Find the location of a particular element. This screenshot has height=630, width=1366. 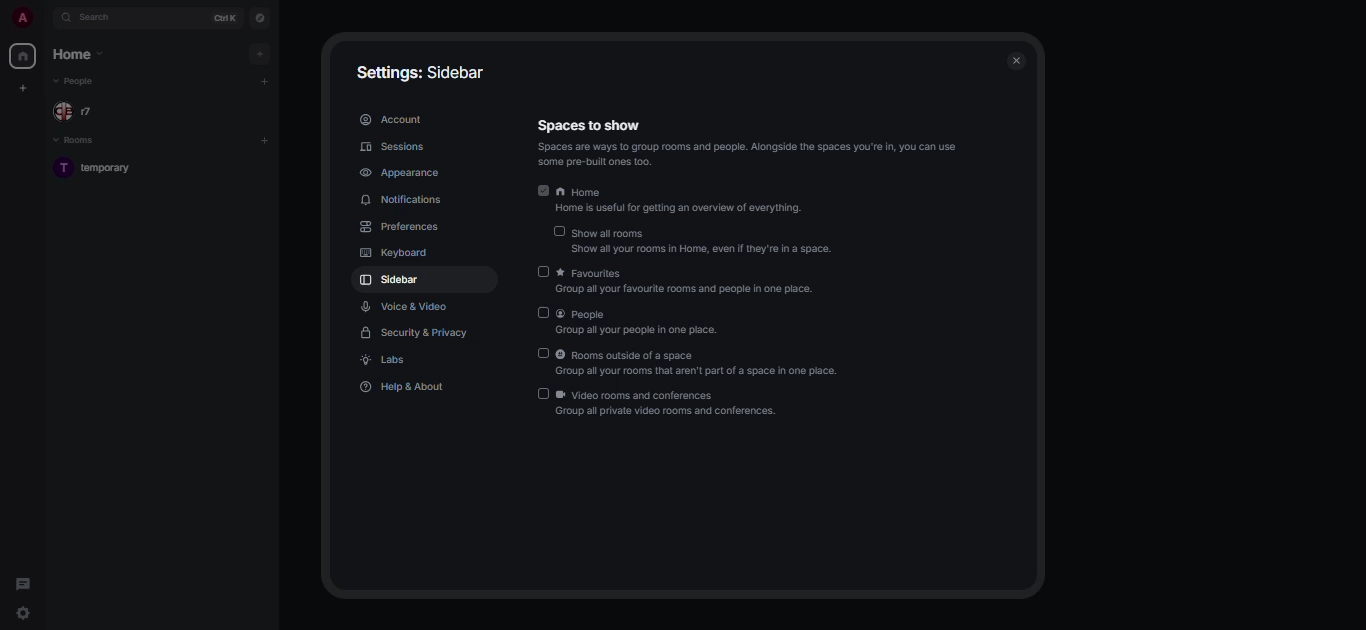

navigator is located at coordinates (261, 18).